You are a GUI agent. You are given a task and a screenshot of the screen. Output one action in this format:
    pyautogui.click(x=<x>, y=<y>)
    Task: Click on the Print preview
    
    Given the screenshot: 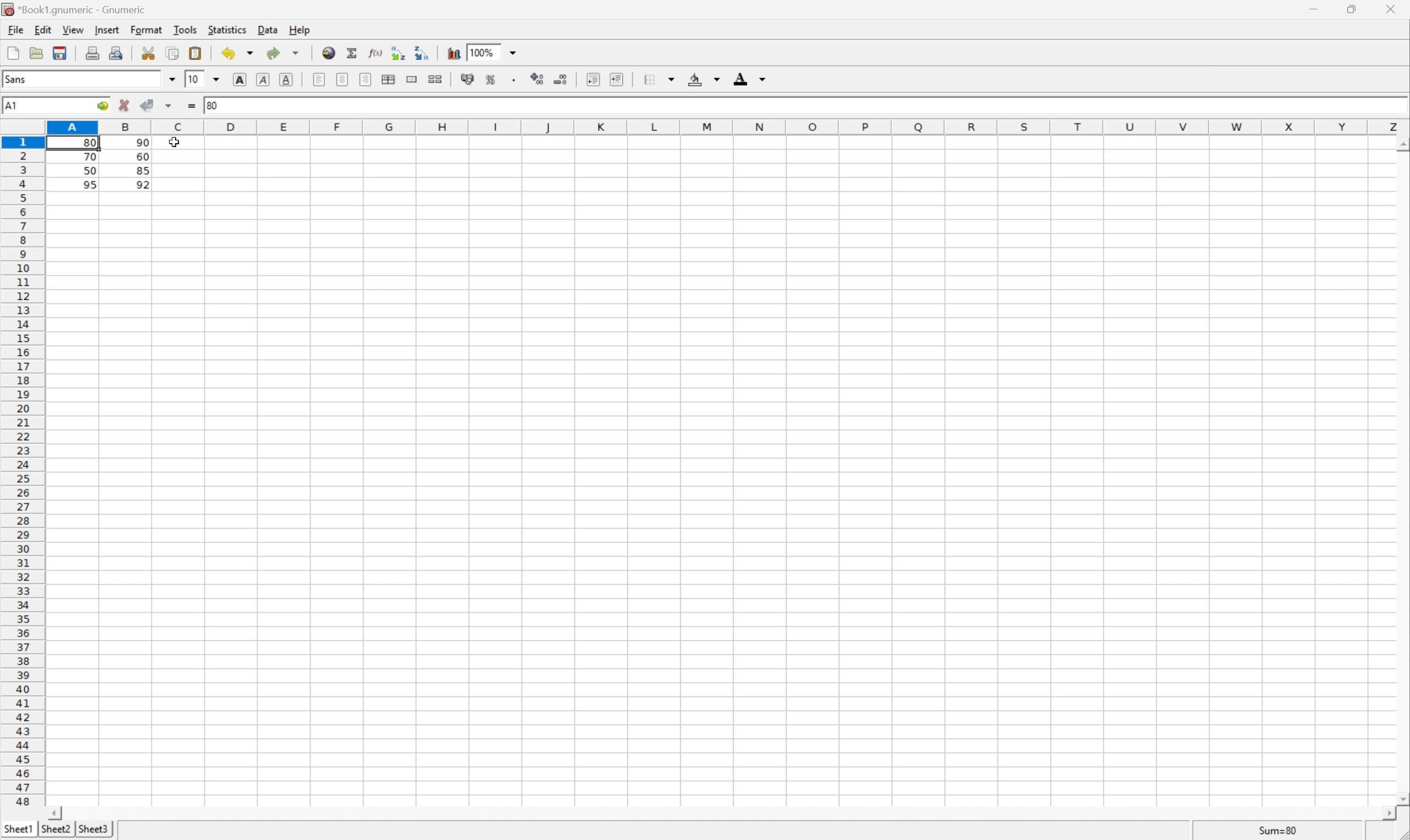 What is the action you would take?
    pyautogui.click(x=117, y=53)
    